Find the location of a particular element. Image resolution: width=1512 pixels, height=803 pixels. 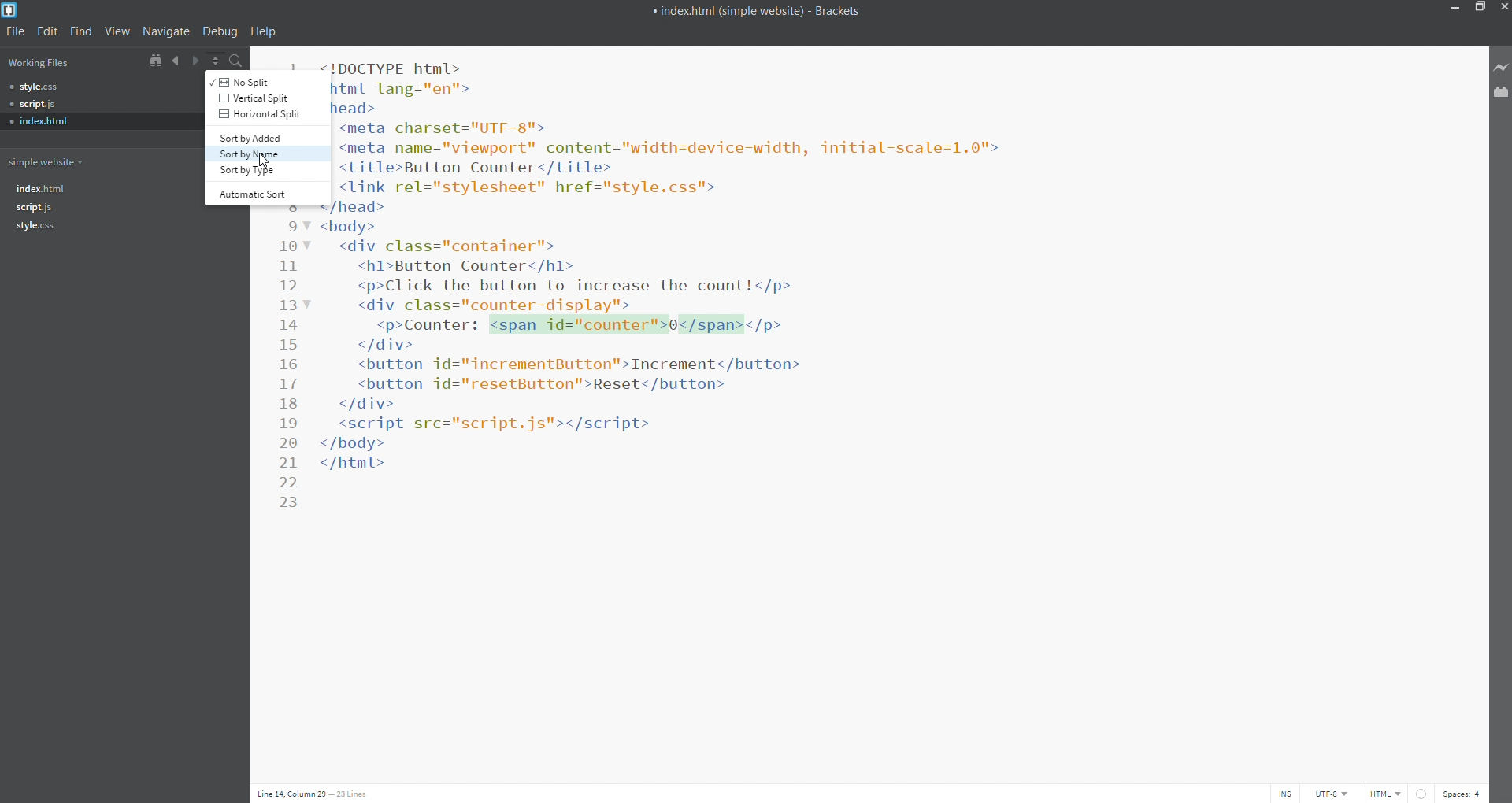

search is located at coordinates (235, 61).